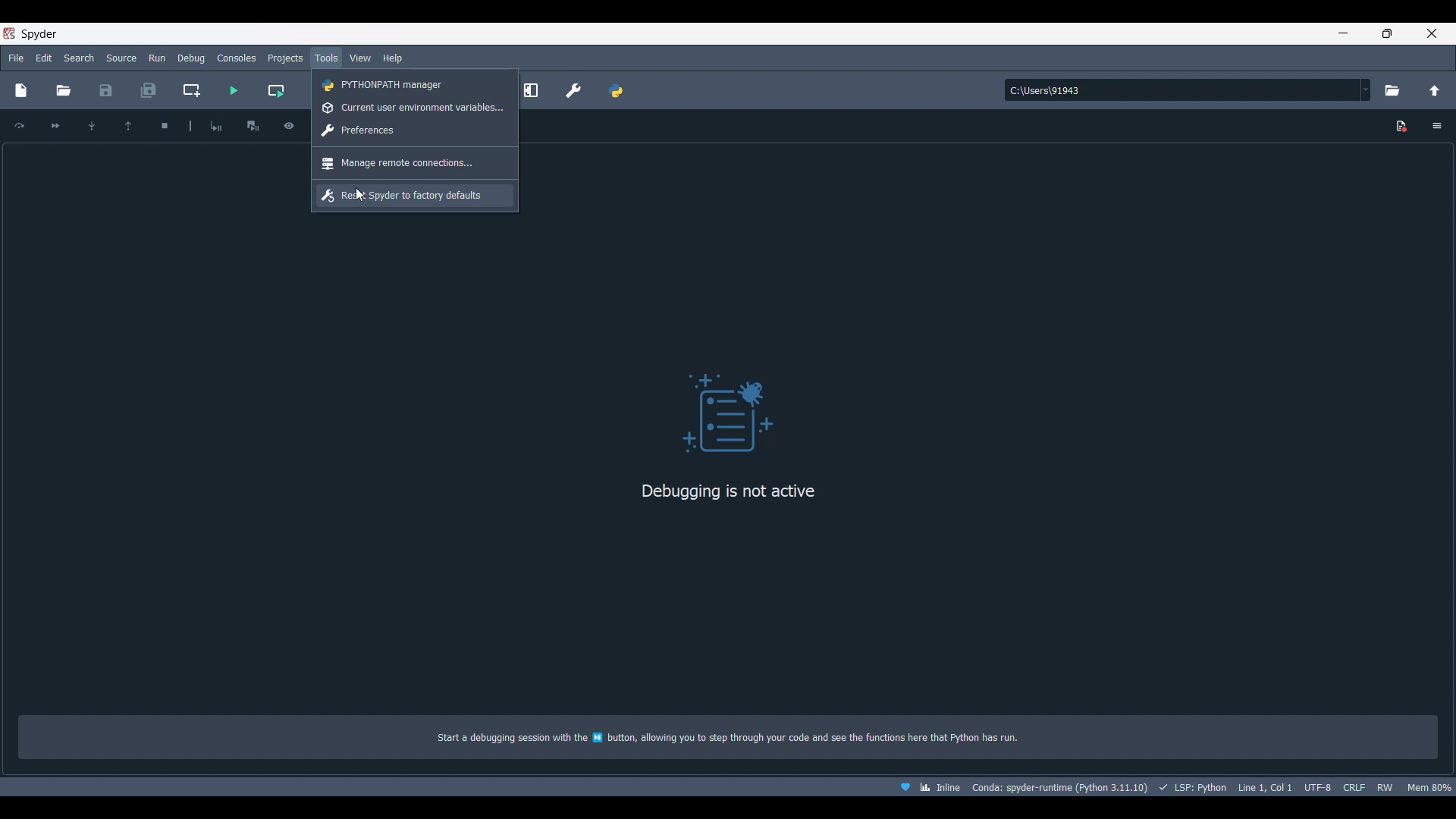  Describe the element at coordinates (1059, 788) in the screenshot. I see `Conda:spyder-runtime (Python 3.11.10)` at that location.